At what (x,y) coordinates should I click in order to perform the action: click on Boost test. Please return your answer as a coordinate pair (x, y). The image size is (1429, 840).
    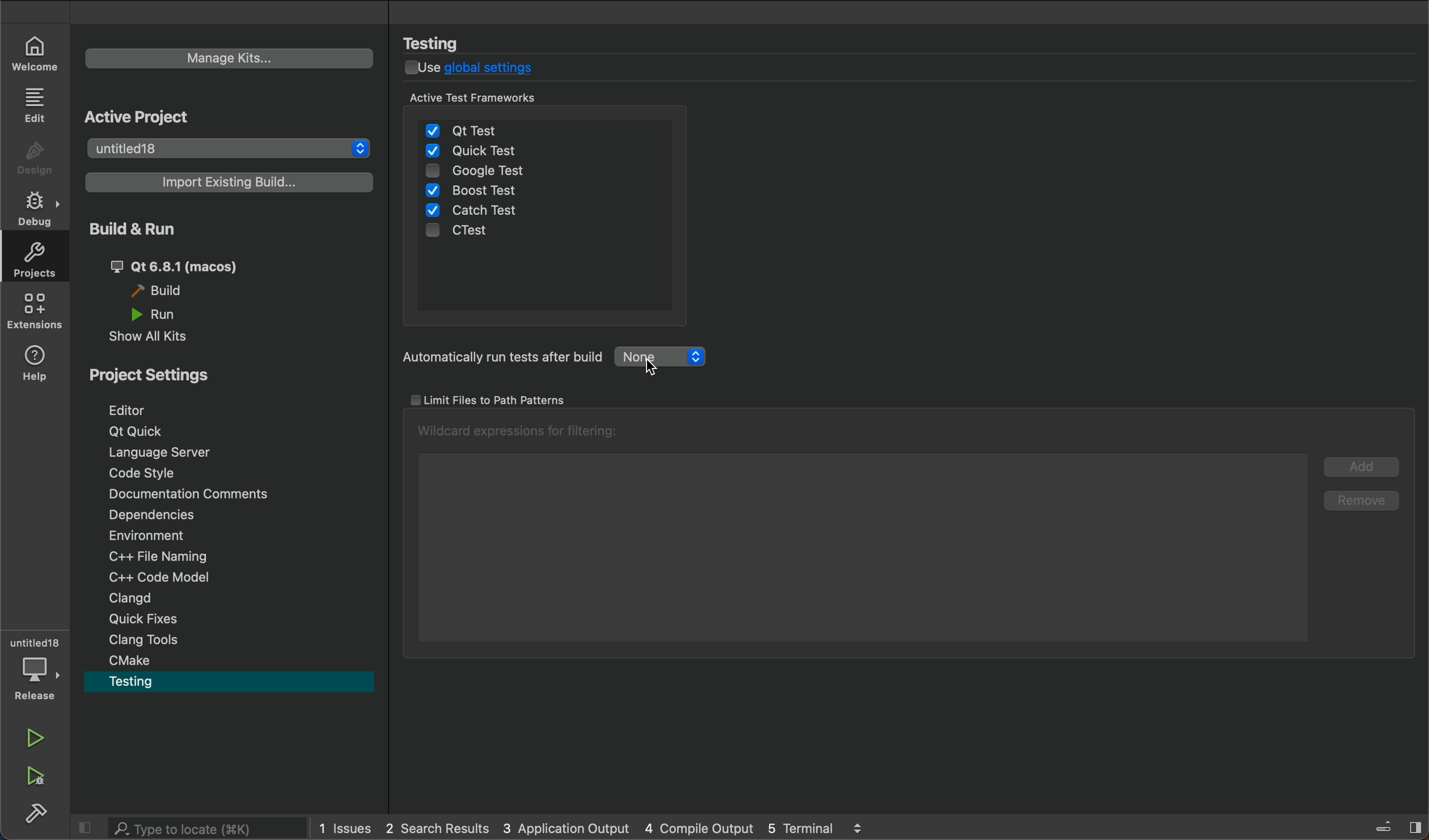
    Looking at the image, I should click on (479, 190).